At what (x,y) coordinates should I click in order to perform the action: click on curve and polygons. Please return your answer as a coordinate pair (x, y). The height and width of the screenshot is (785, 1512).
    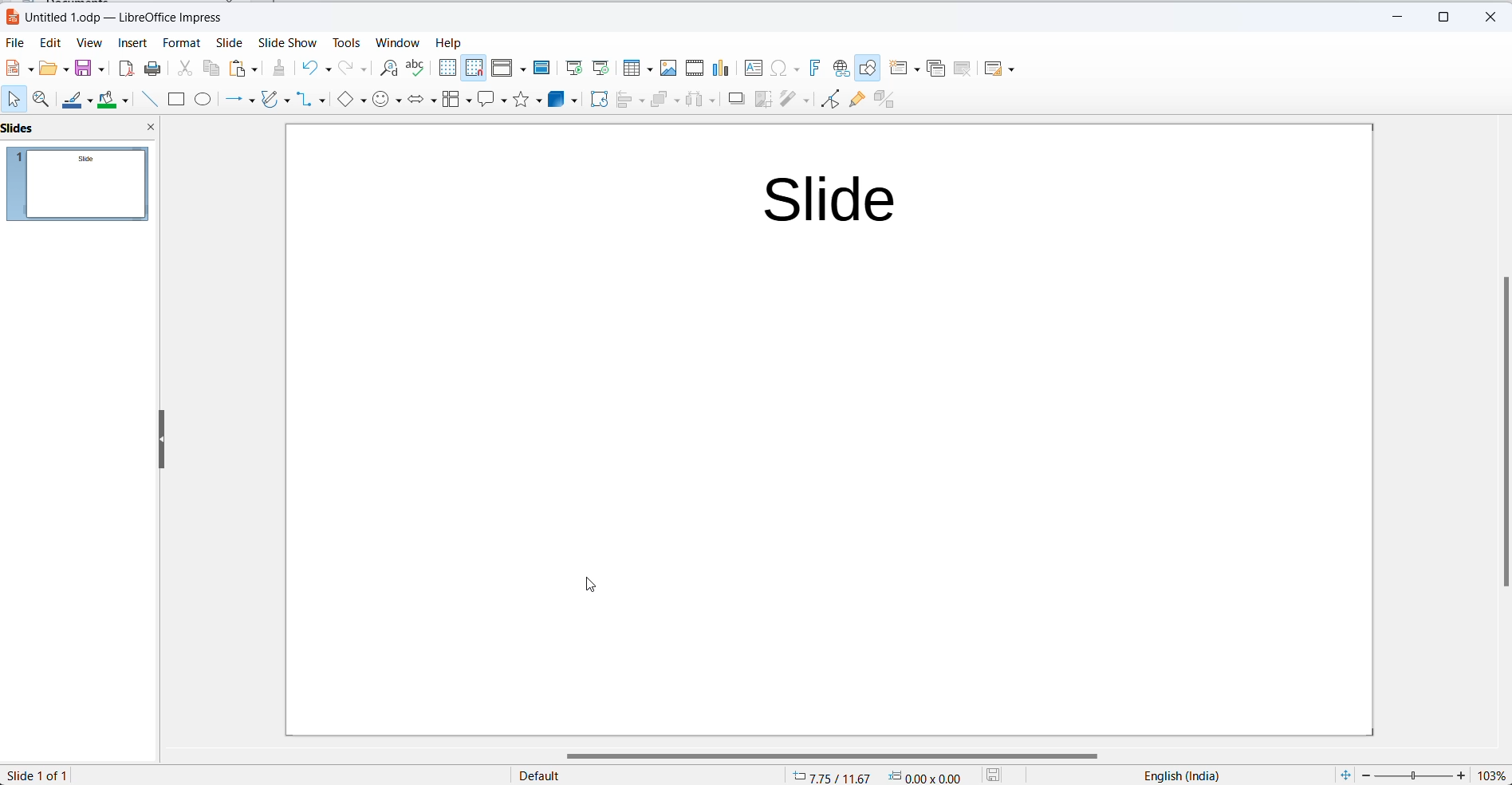
    Looking at the image, I should click on (277, 101).